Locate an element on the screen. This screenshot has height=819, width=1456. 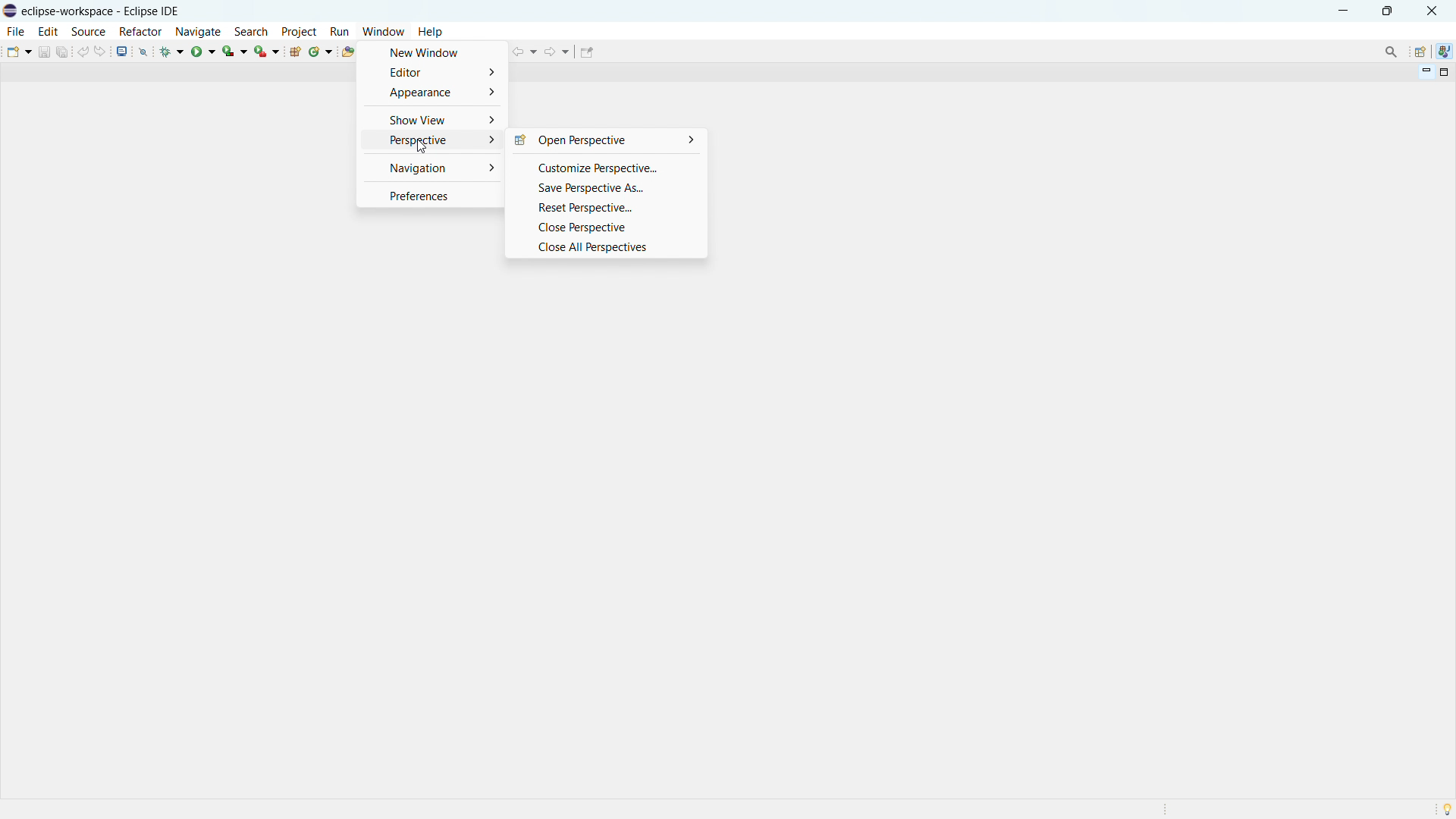
run is located at coordinates (340, 31).